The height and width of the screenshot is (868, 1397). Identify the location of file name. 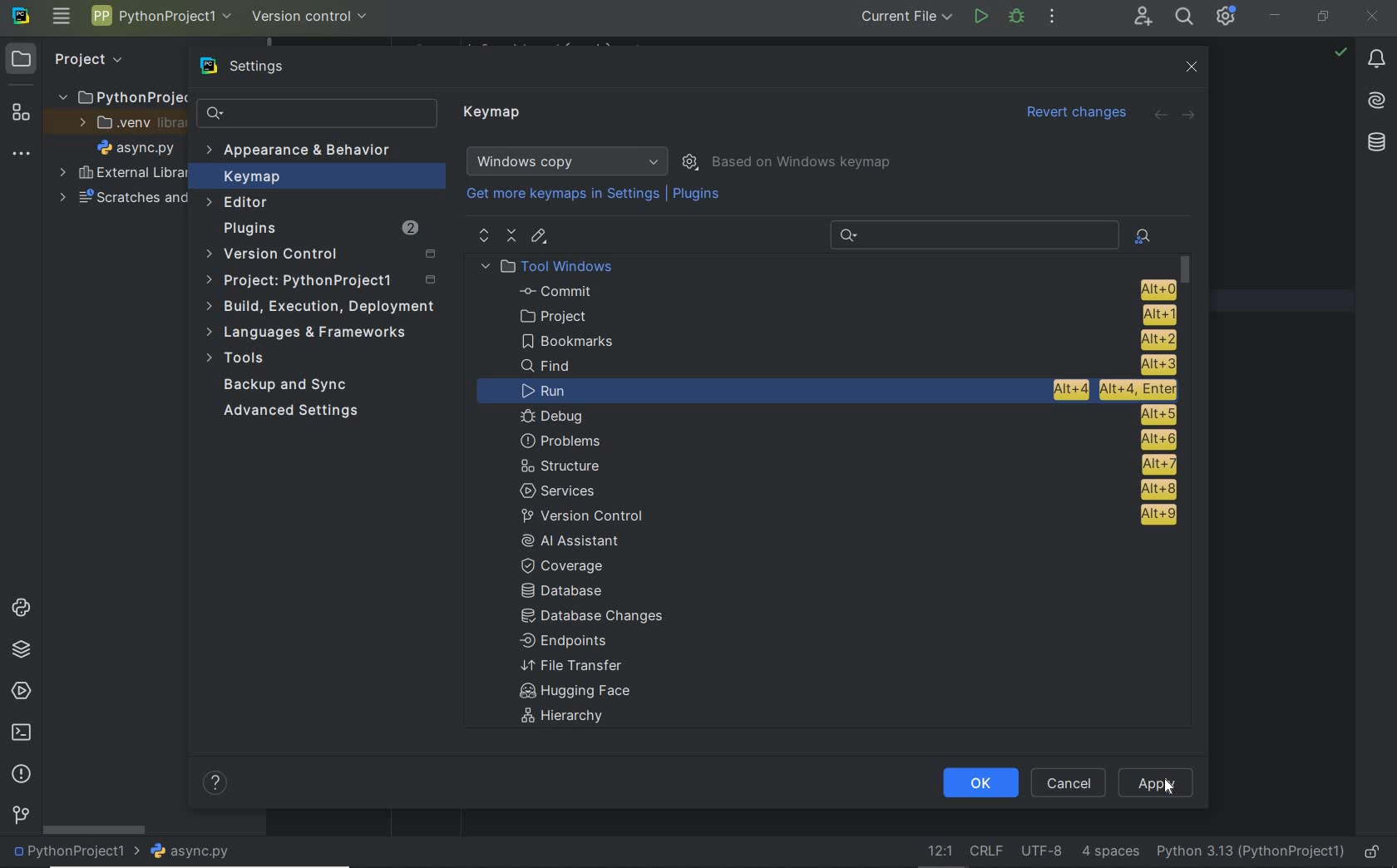
(190, 852).